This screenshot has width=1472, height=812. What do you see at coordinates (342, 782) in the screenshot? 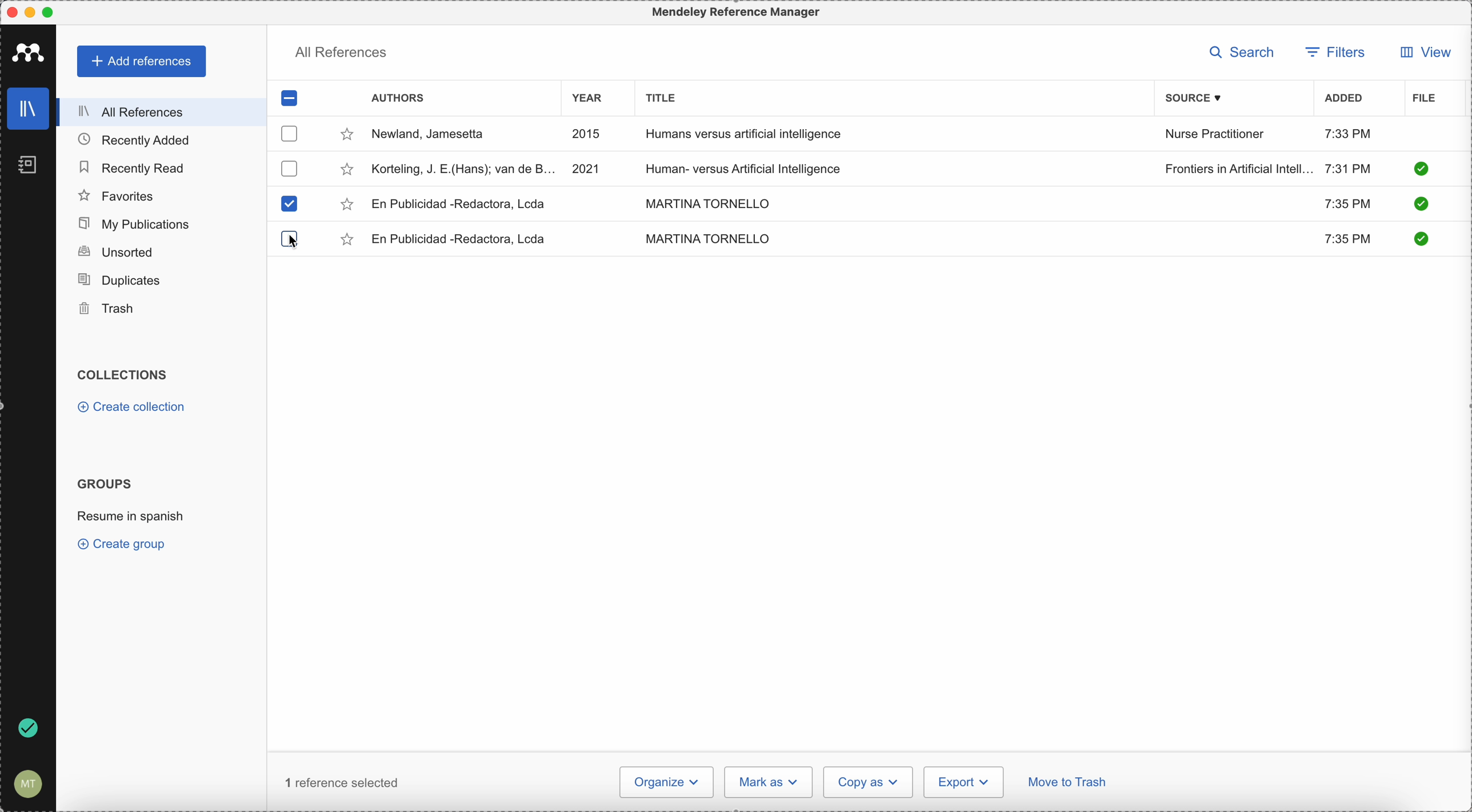
I see `1 reference selected` at bounding box center [342, 782].